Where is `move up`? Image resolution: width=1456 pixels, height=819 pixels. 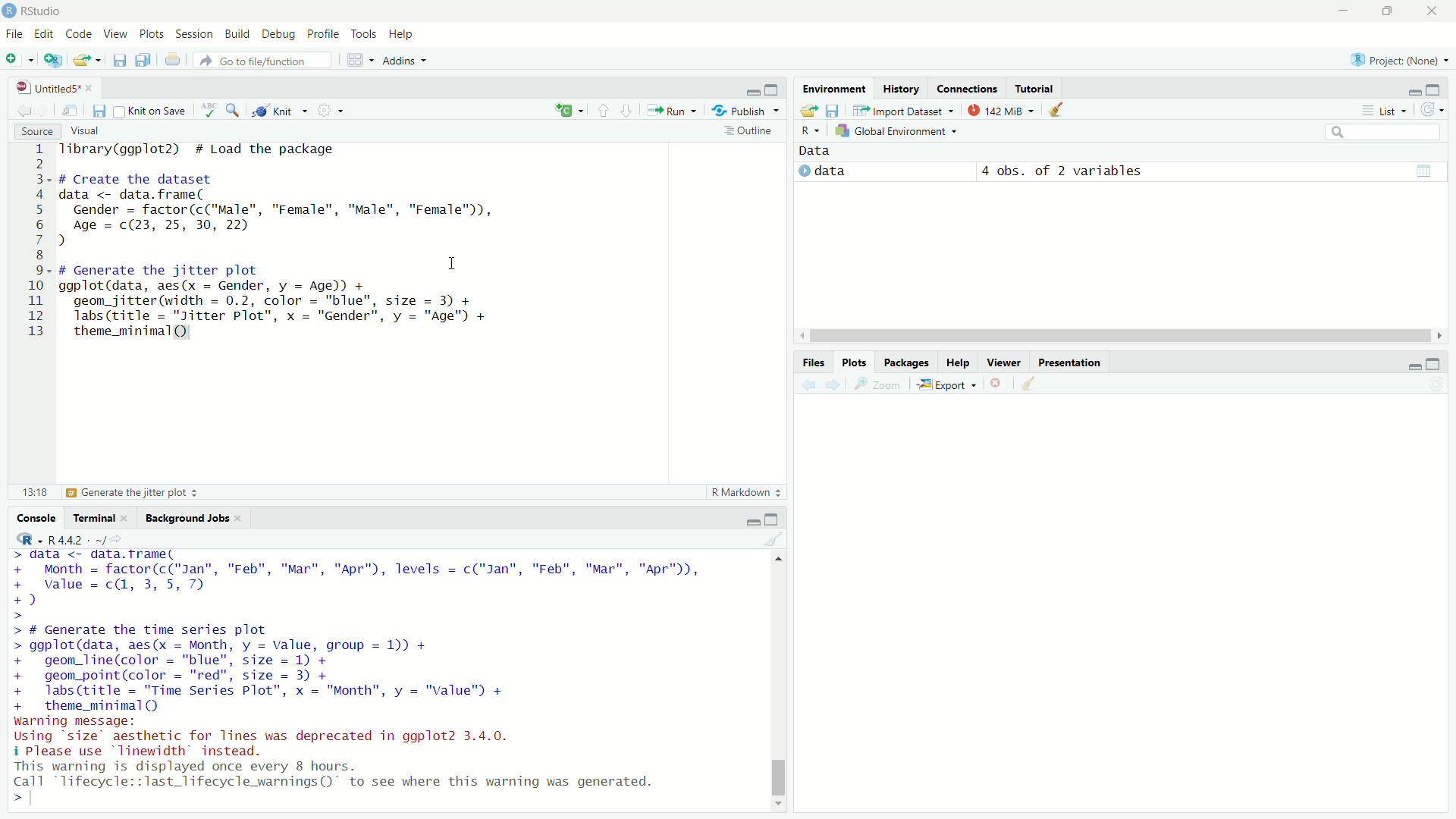
move up is located at coordinates (777, 559).